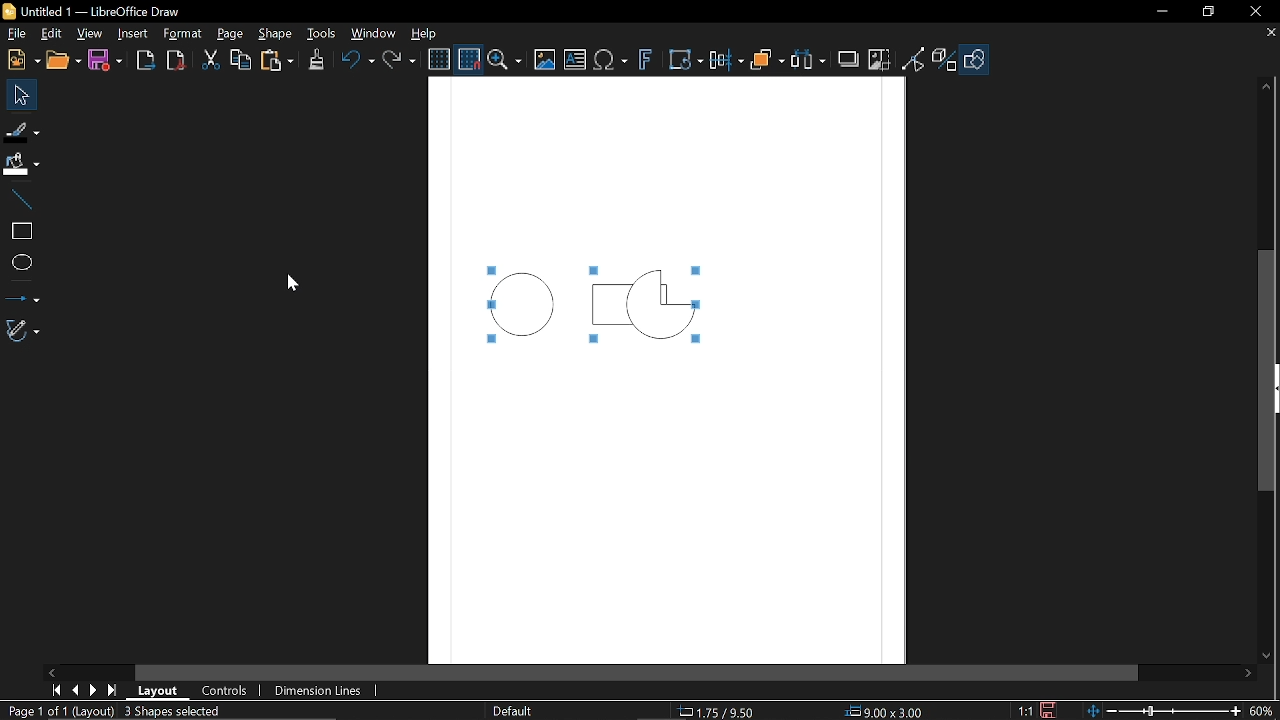 The width and height of the screenshot is (1280, 720). What do you see at coordinates (544, 60) in the screenshot?
I see `Insert image` at bounding box center [544, 60].